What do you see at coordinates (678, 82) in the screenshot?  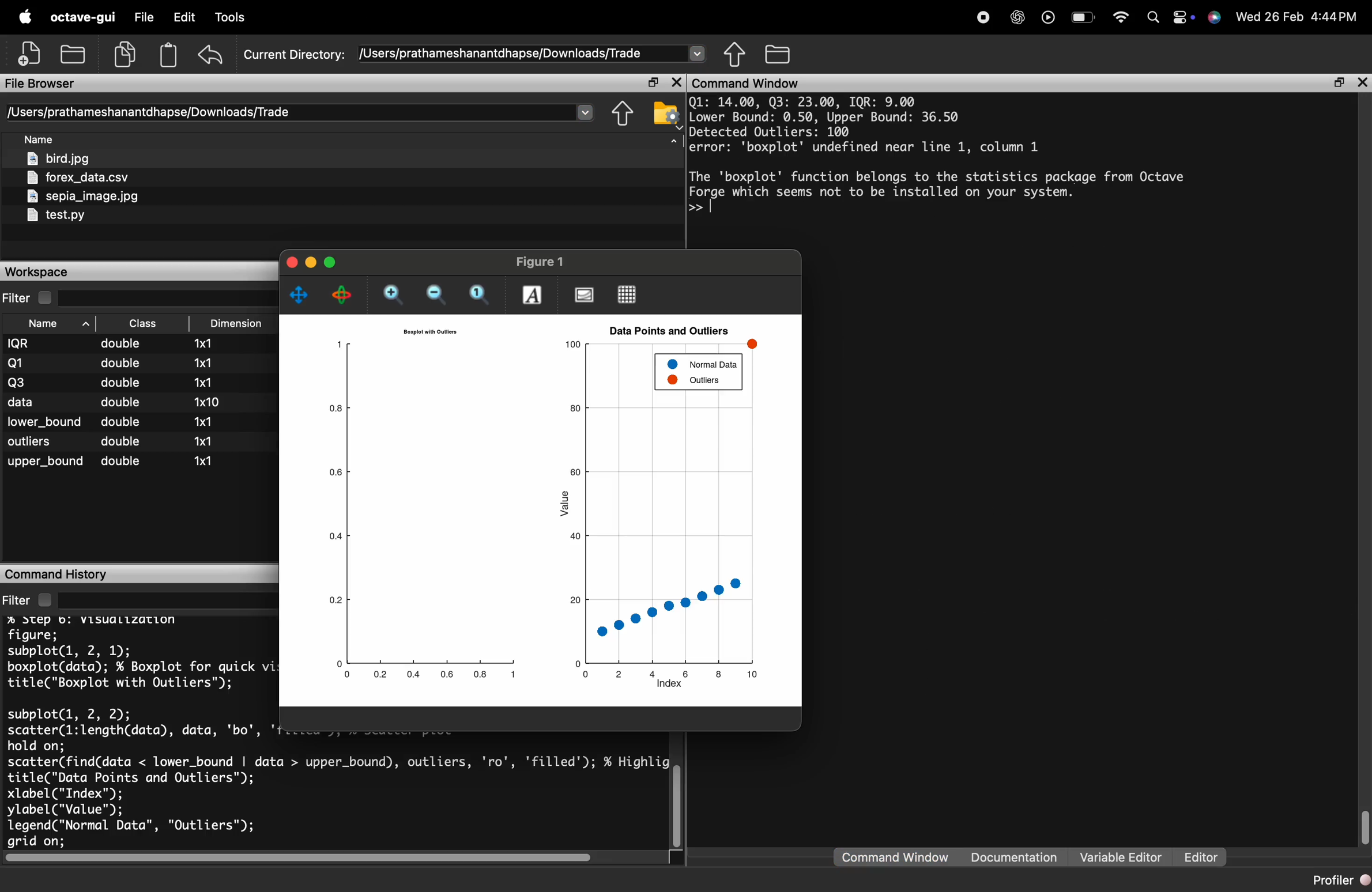 I see `close` at bounding box center [678, 82].